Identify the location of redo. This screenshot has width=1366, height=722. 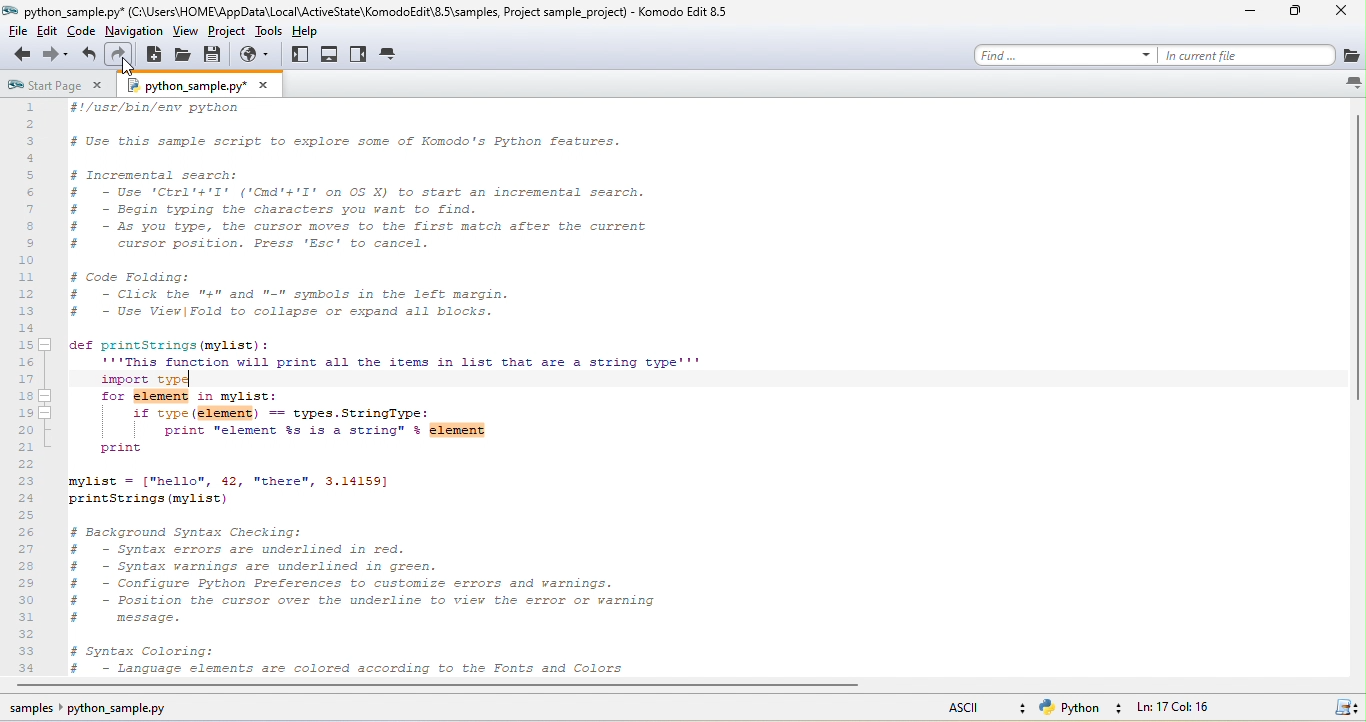
(120, 55).